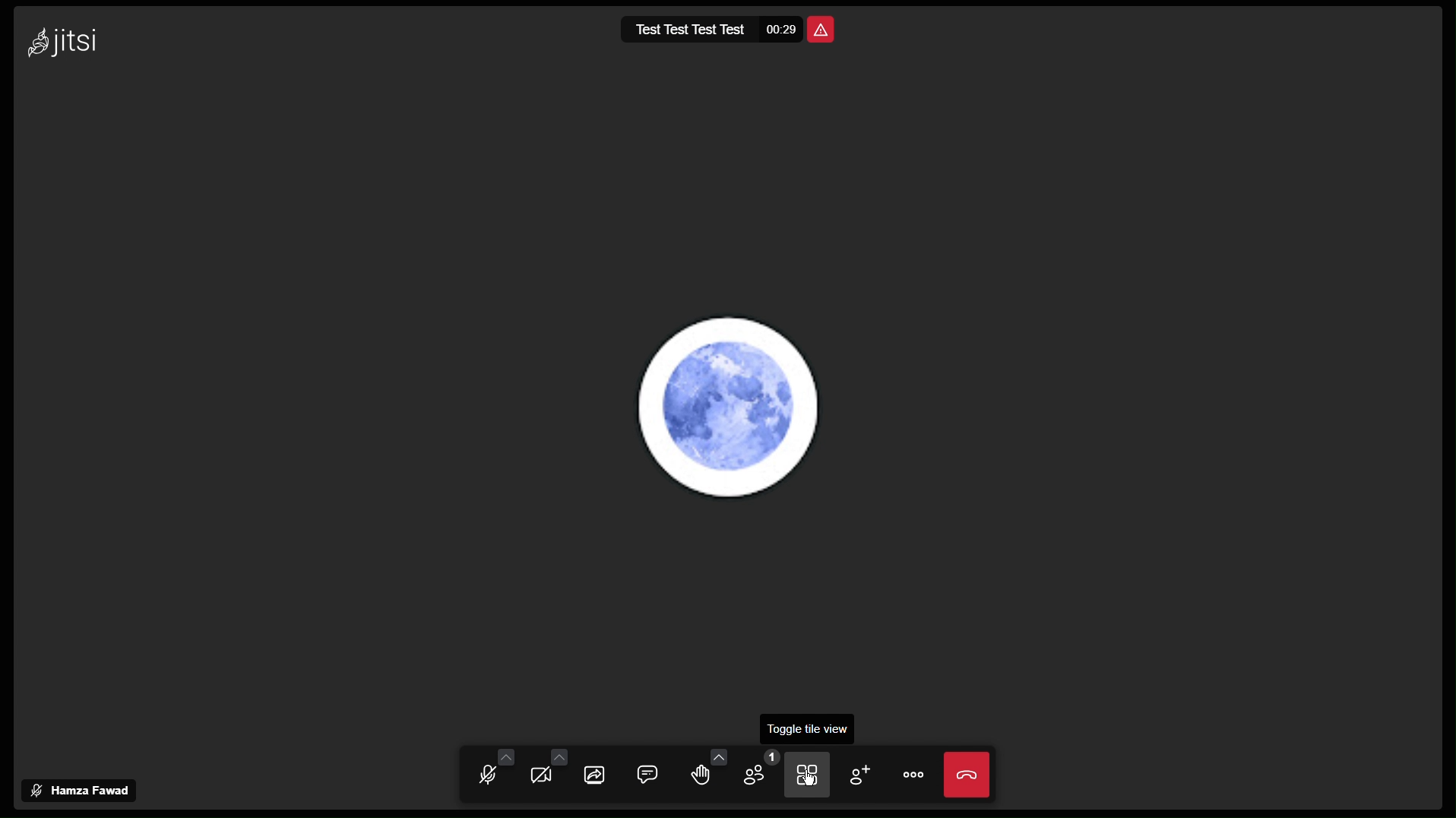 This screenshot has height=818, width=1456. Describe the element at coordinates (810, 777) in the screenshot. I see `cursor` at that location.